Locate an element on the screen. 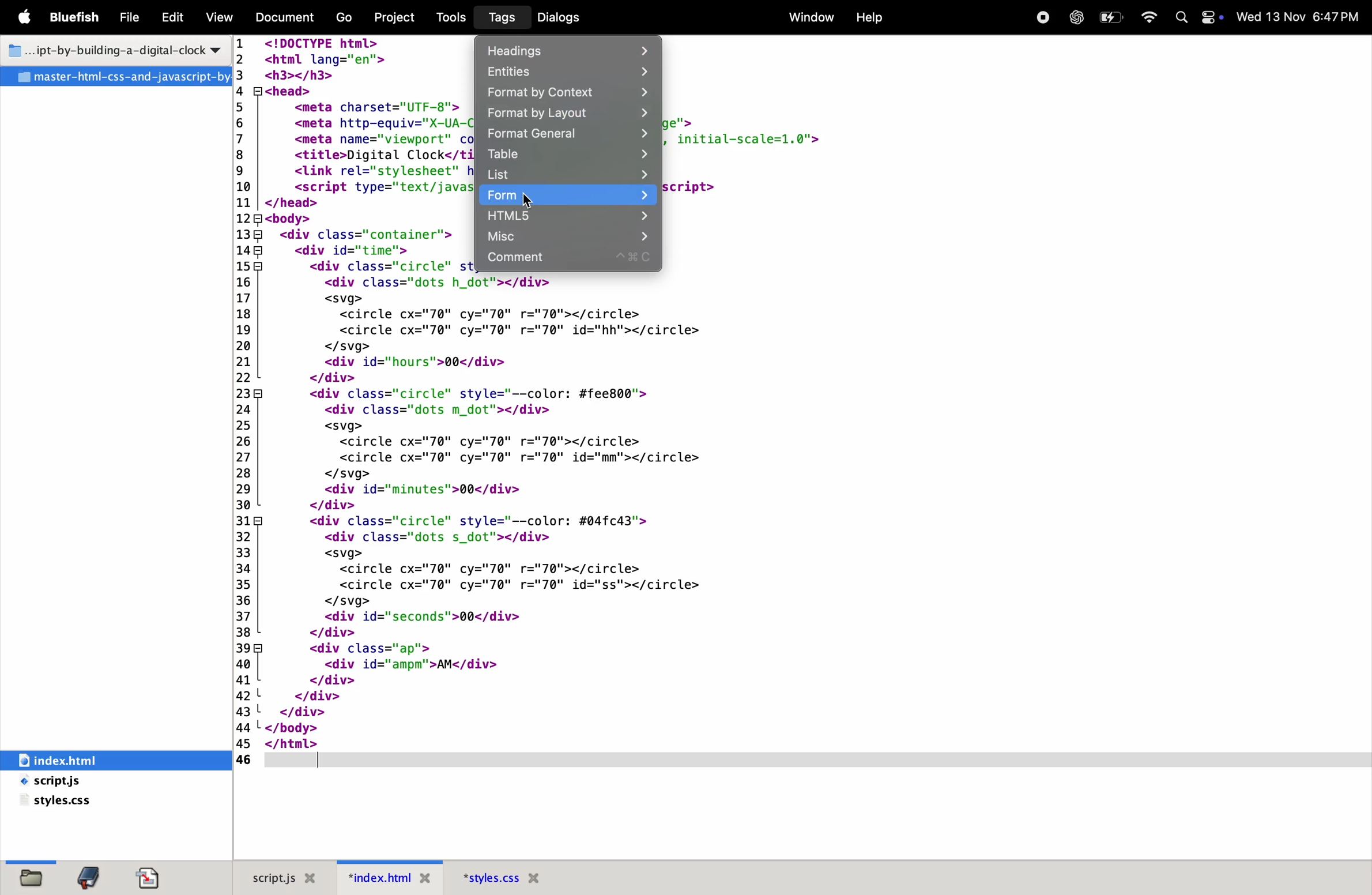 The image size is (1372, 895). wifi is located at coordinates (1153, 14).